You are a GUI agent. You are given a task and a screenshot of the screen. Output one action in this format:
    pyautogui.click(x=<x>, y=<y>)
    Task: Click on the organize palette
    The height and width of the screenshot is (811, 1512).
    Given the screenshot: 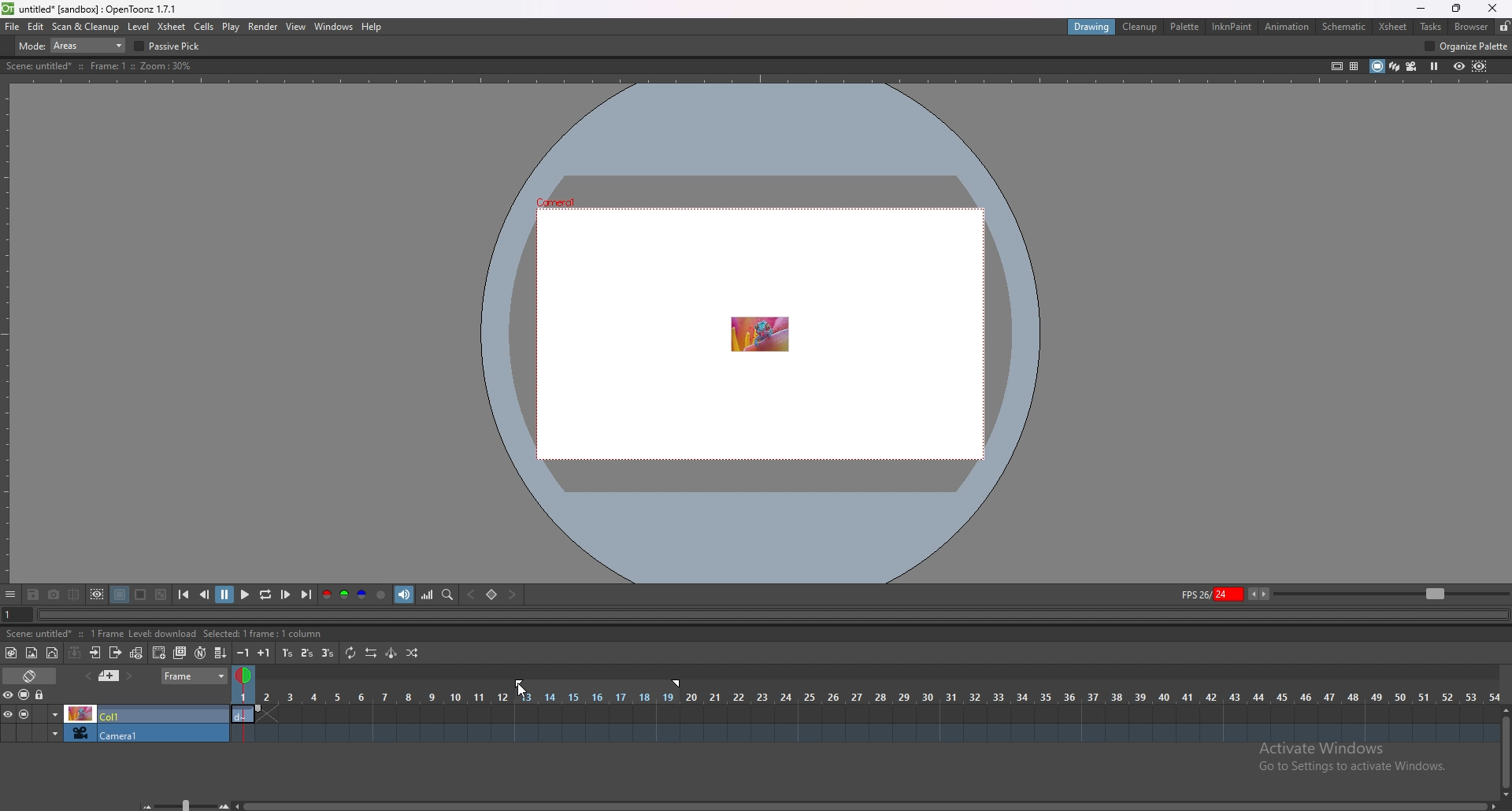 What is the action you would take?
    pyautogui.click(x=1467, y=46)
    